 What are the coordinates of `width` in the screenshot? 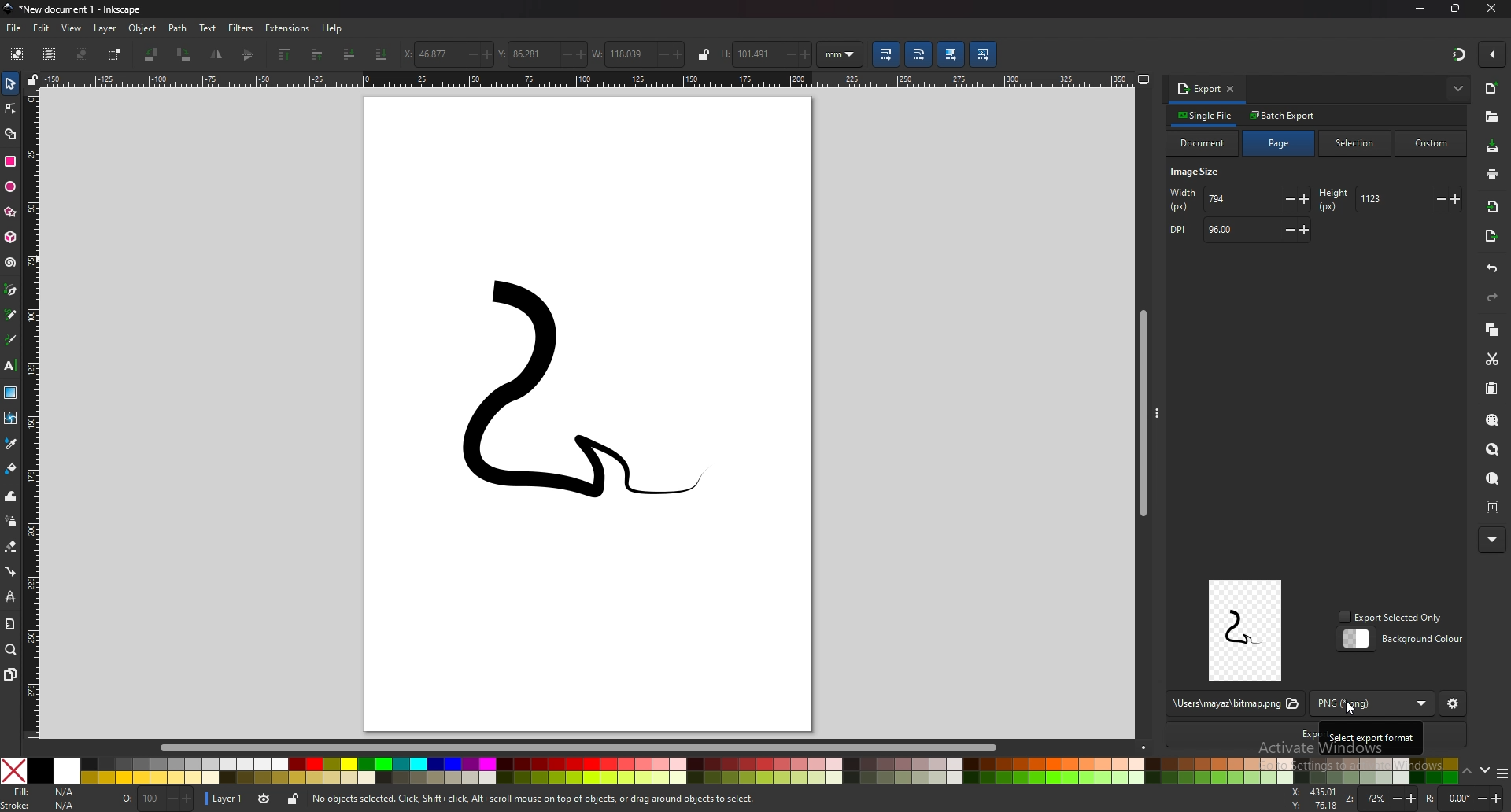 It's located at (639, 53).